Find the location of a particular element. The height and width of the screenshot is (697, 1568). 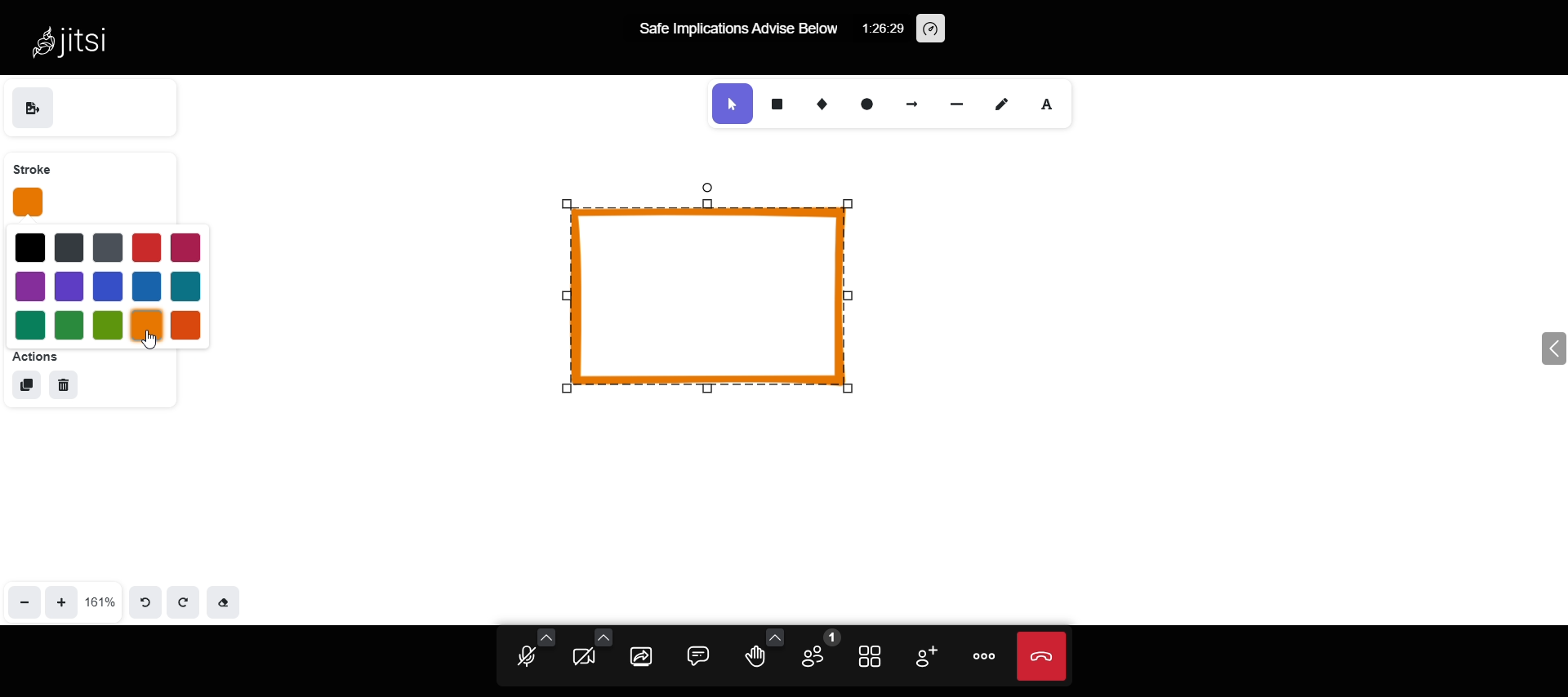

rectangle is located at coordinates (775, 100).